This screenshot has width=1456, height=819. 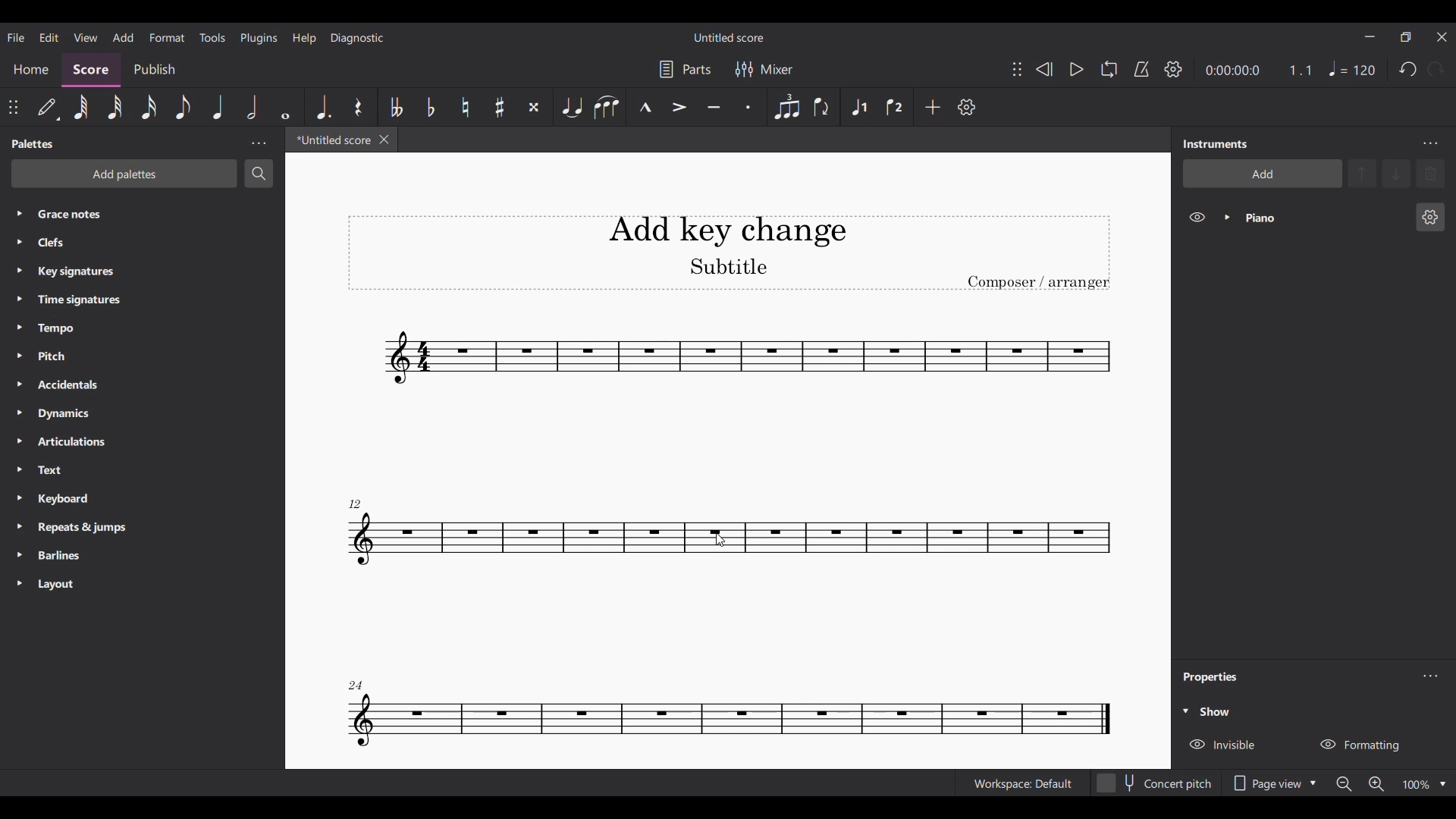 What do you see at coordinates (763, 69) in the screenshot?
I see `Mixer` at bounding box center [763, 69].